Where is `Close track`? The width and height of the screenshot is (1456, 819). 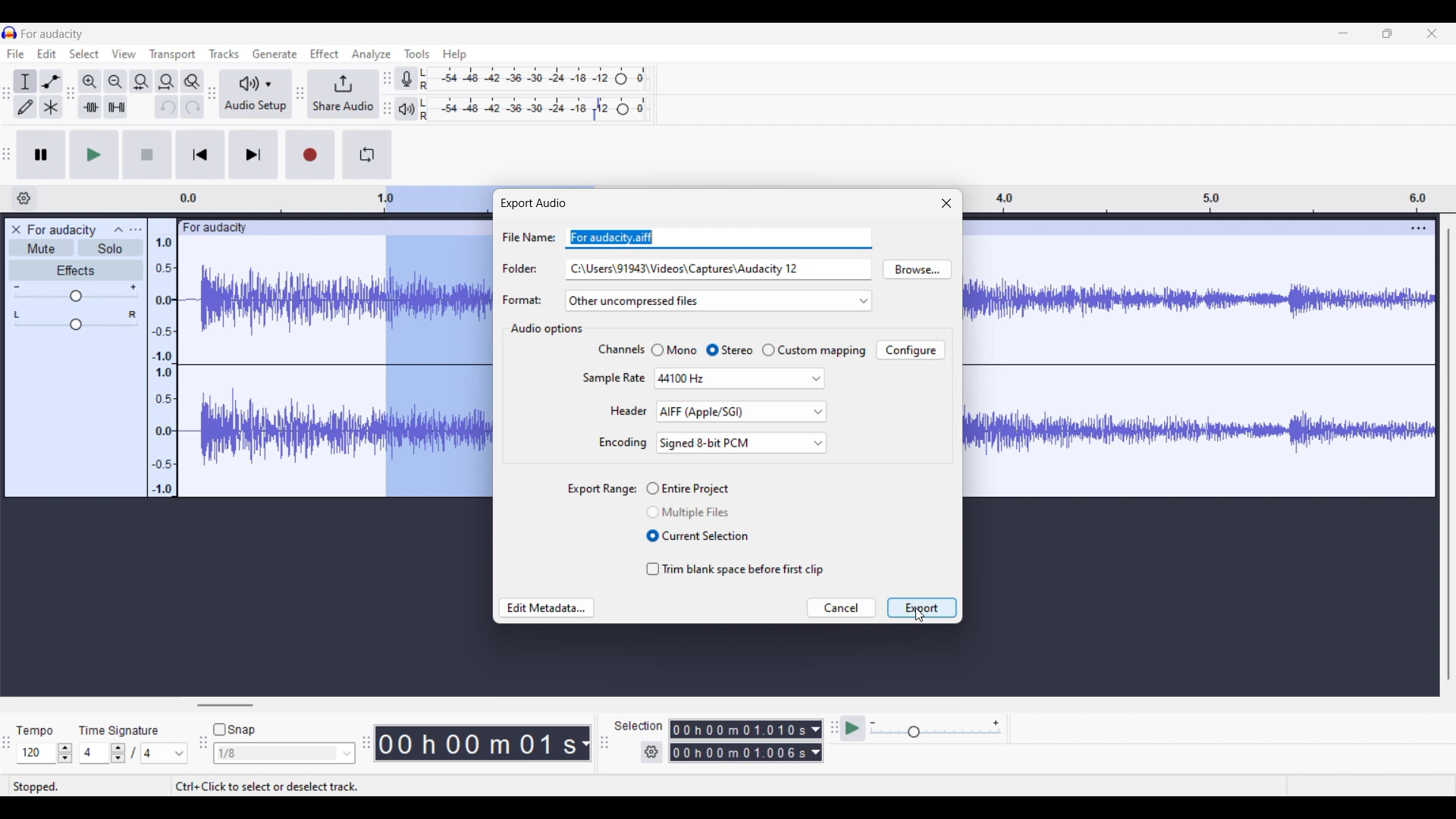
Close track is located at coordinates (16, 230).